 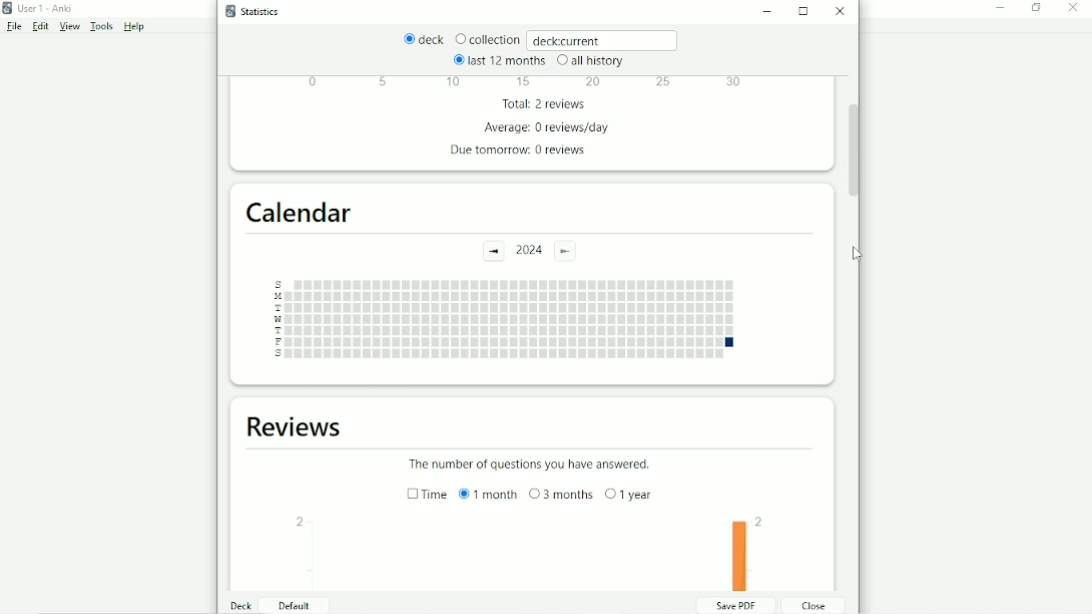 What do you see at coordinates (771, 13) in the screenshot?
I see `Minimize` at bounding box center [771, 13].